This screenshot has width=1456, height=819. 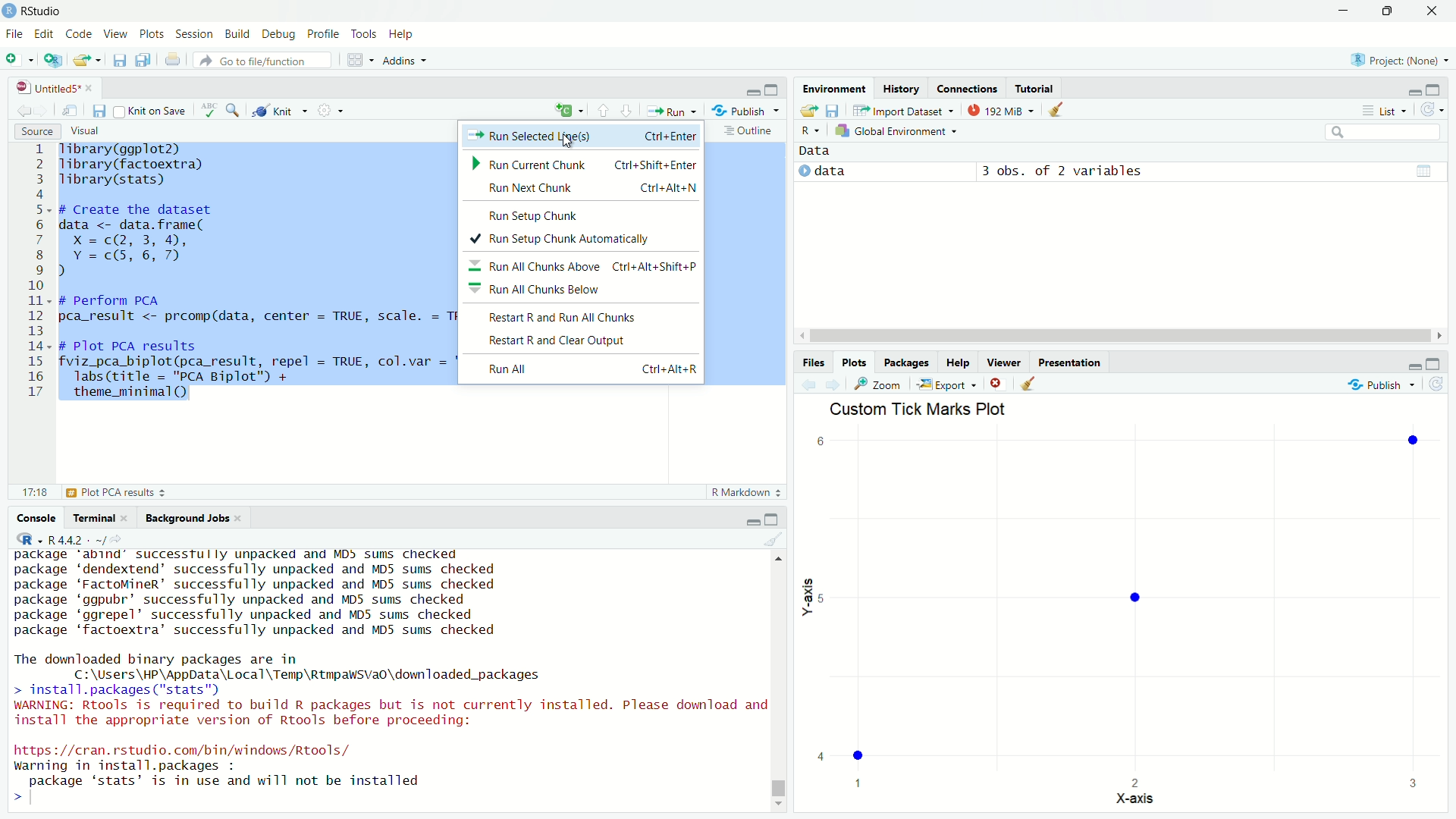 What do you see at coordinates (1119, 336) in the screenshot?
I see `horizontal scrollbar` at bounding box center [1119, 336].